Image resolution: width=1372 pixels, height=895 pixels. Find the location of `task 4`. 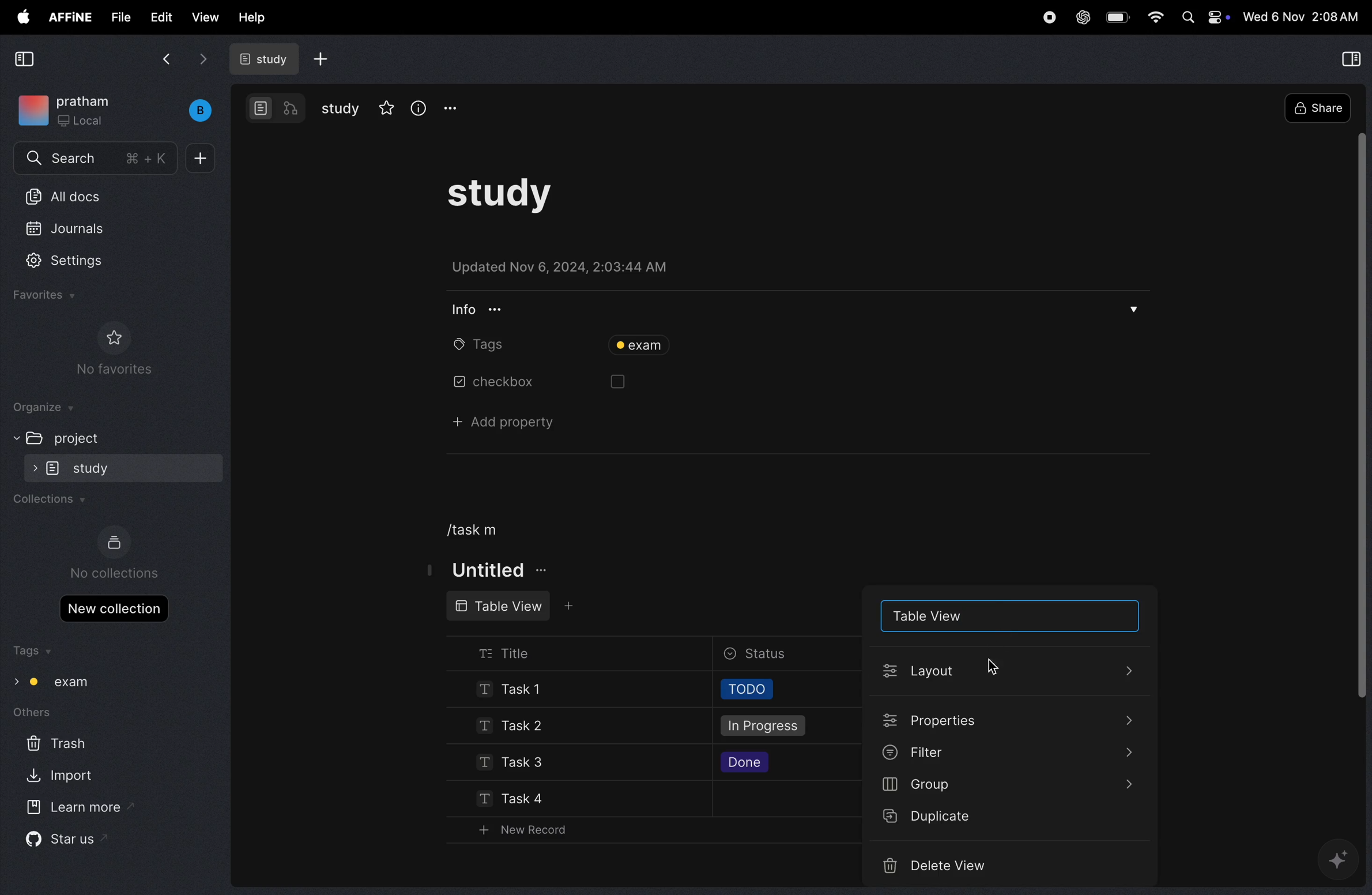

task 4 is located at coordinates (497, 797).